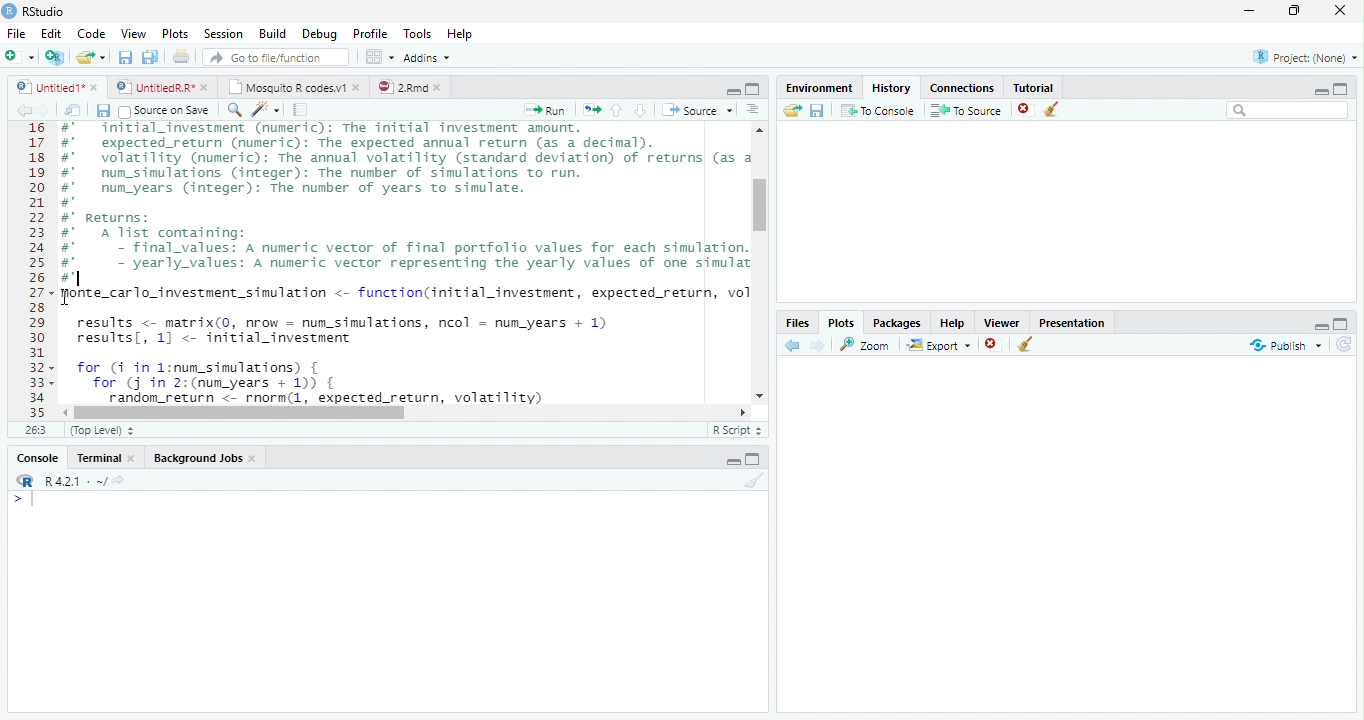 The image size is (1364, 720). What do you see at coordinates (1321, 90) in the screenshot?
I see `Hide` at bounding box center [1321, 90].